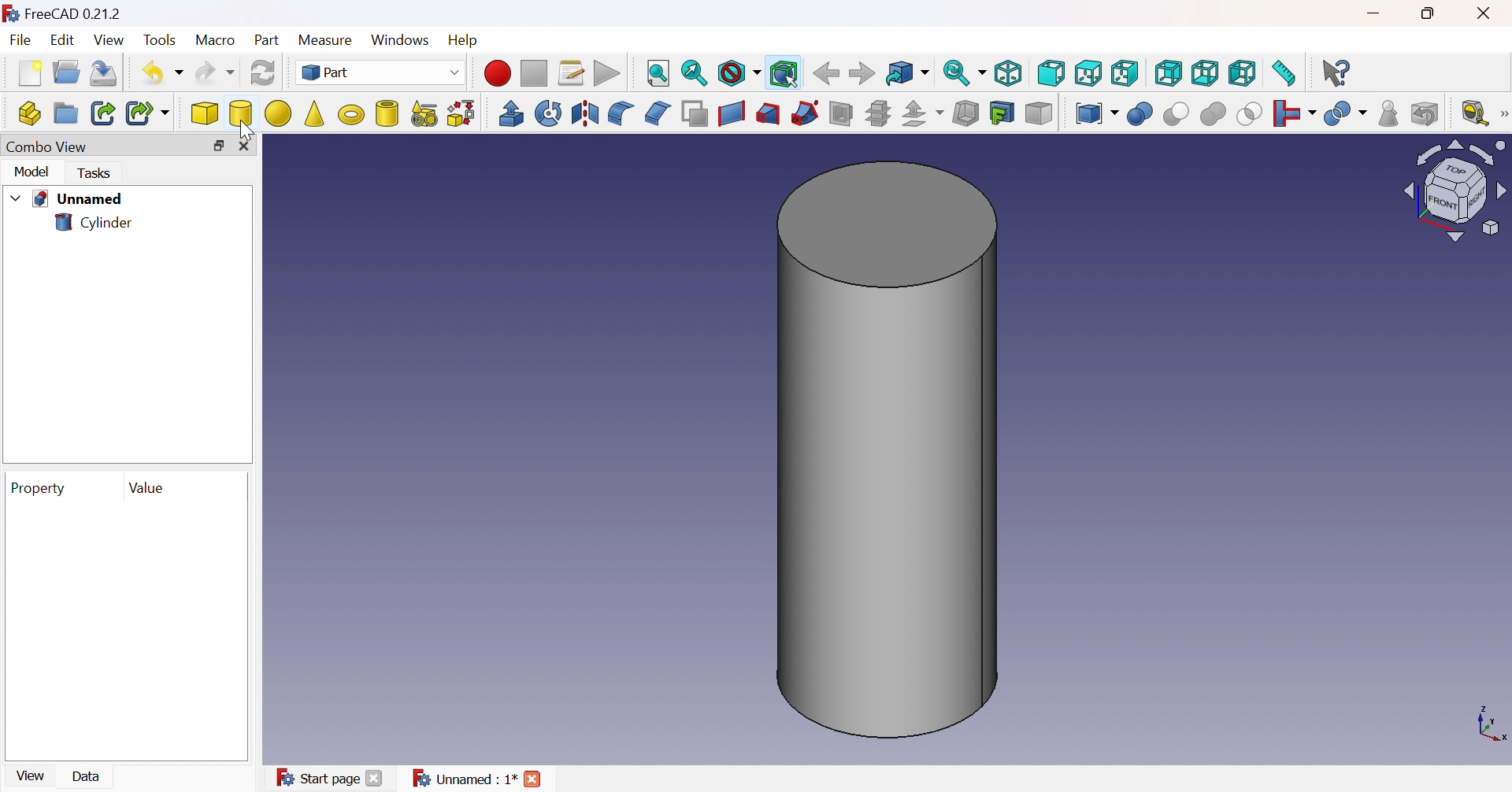 This screenshot has height=792, width=1512. I want to click on Compound tools, so click(1096, 113).